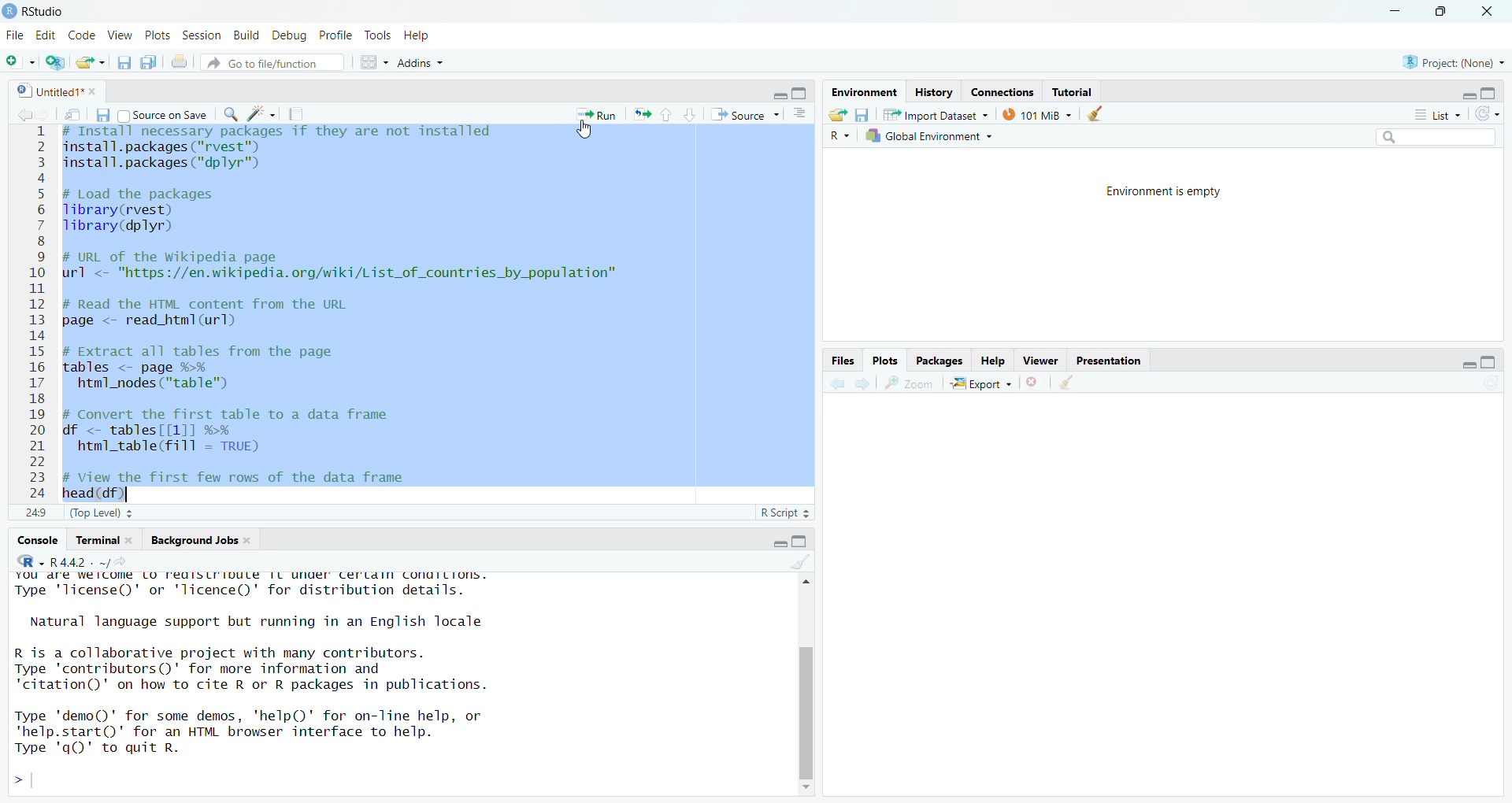  Describe the element at coordinates (337, 35) in the screenshot. I see `Profile` at that location.